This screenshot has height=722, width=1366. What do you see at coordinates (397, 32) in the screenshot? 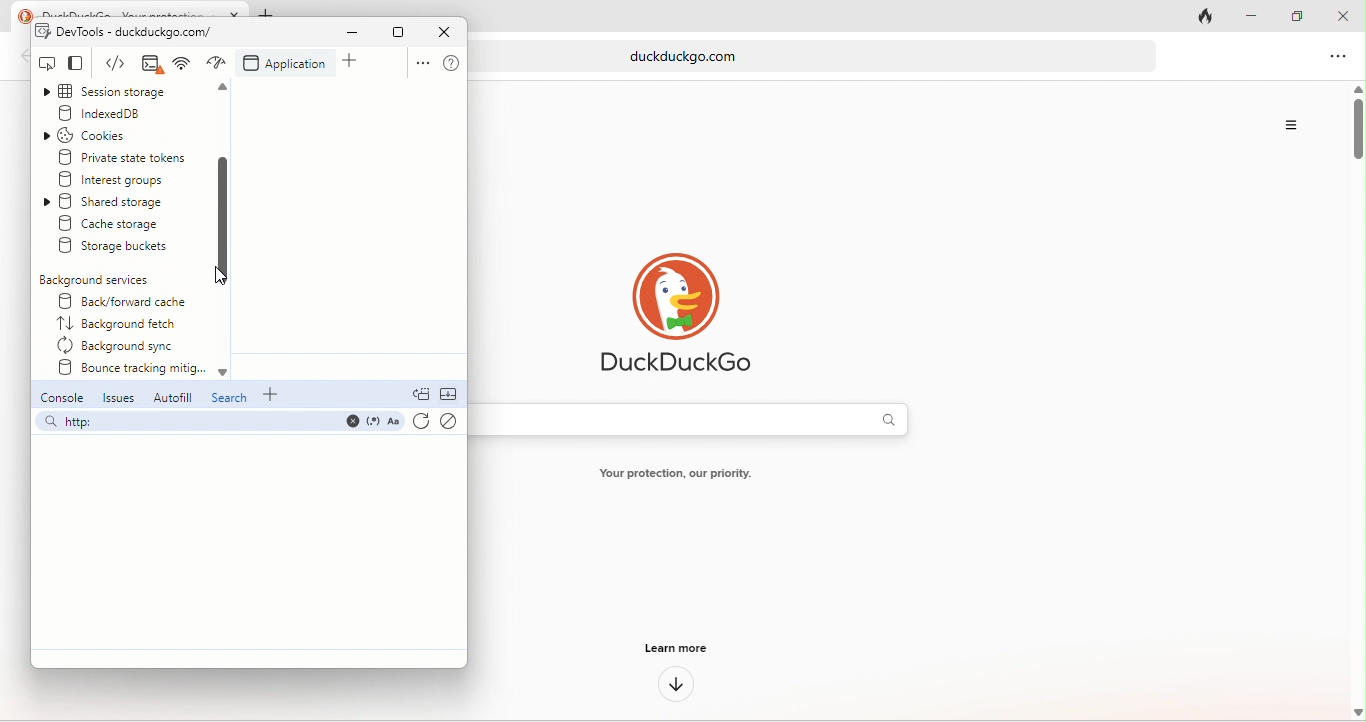
I see `maximize` at bounding box center [397, 32].